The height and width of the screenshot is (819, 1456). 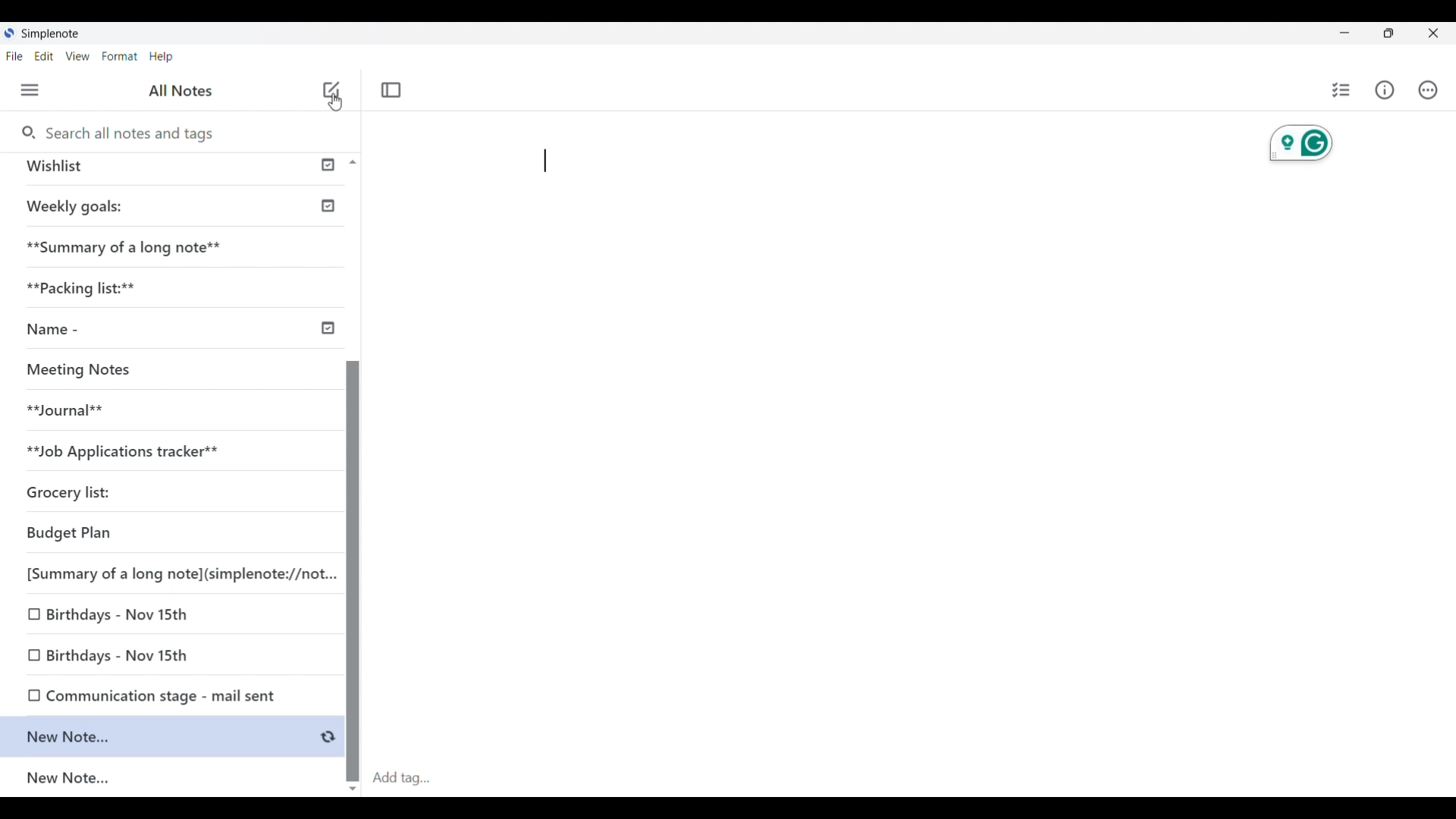 What do you see at coordinates (357, 789) in the screenshot?
I see `scroll down` at bounding box center [357, 789].